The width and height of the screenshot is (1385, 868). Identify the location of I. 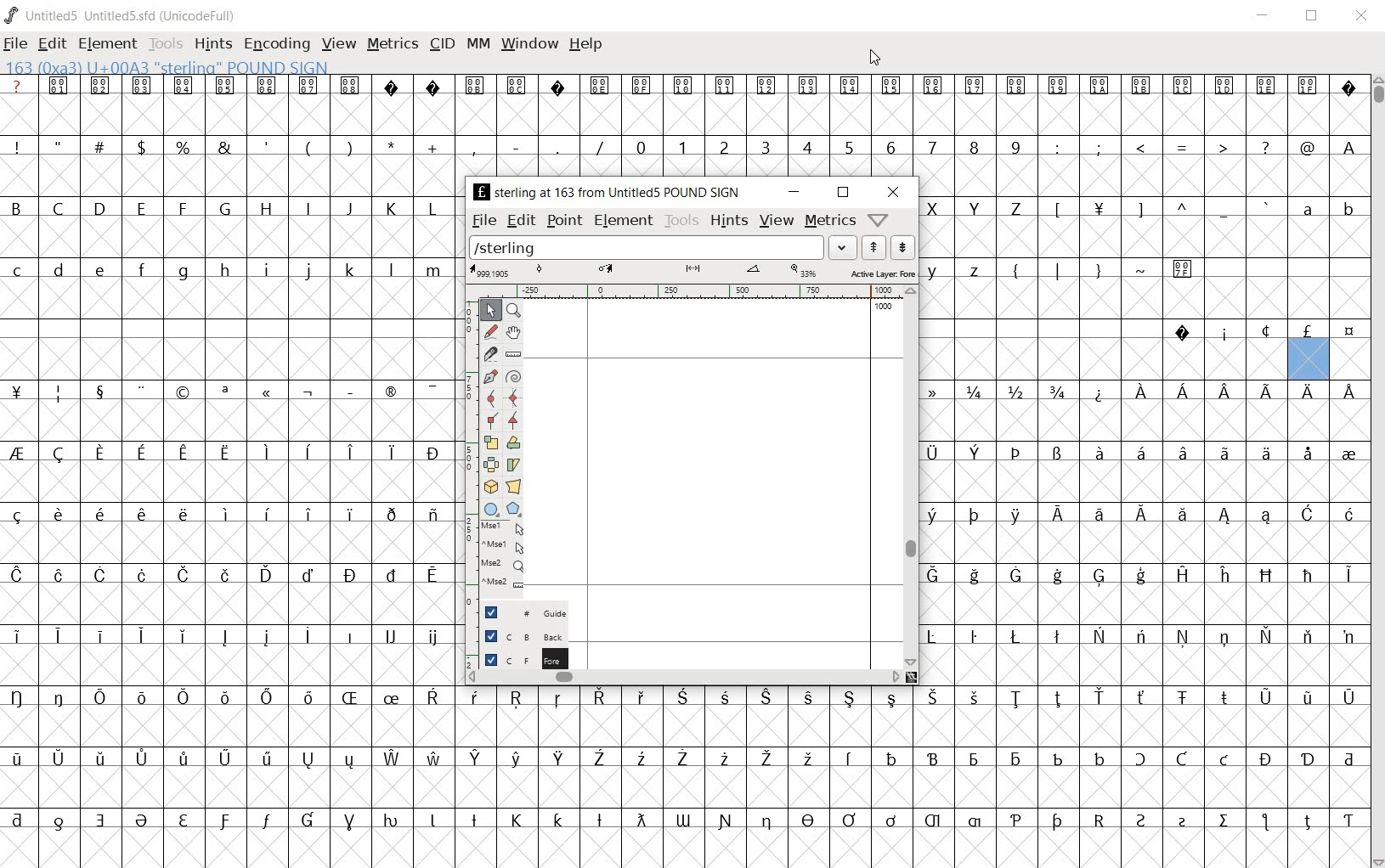
(308, 209).